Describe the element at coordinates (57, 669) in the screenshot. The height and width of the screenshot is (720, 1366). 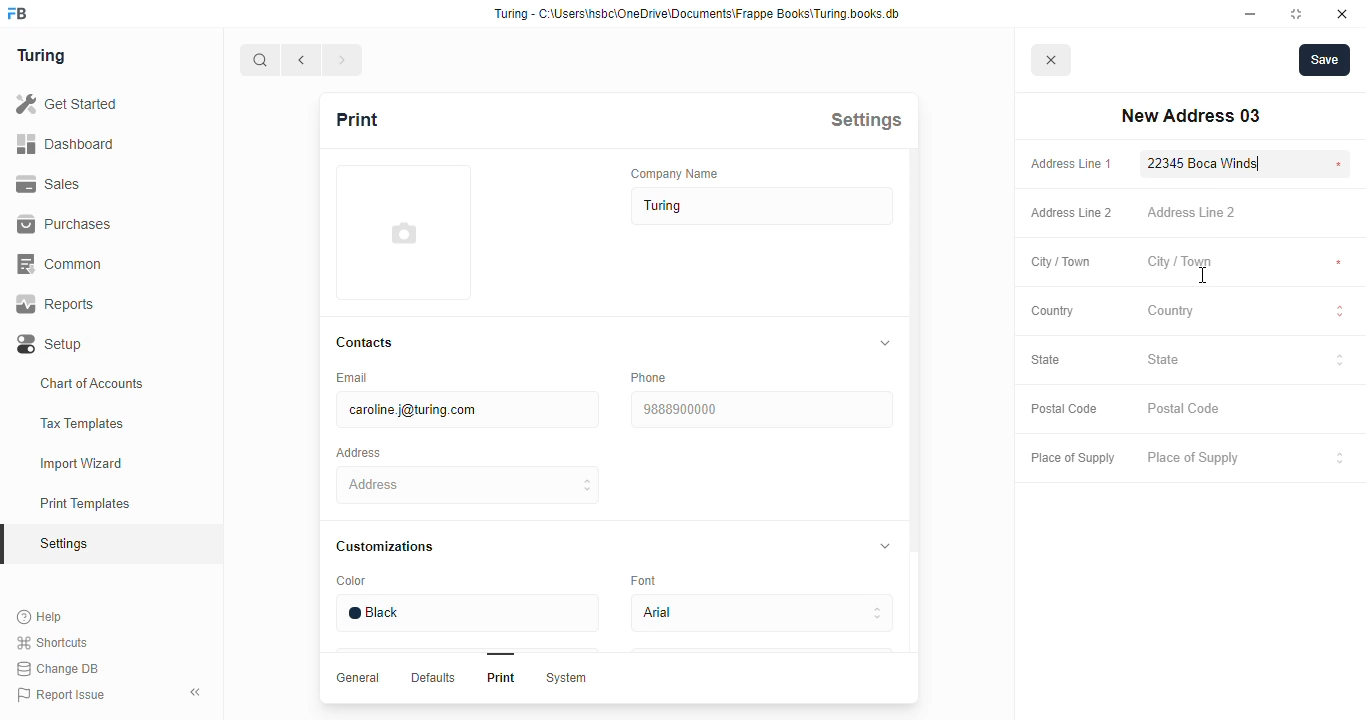
I see `change DB` at that location.